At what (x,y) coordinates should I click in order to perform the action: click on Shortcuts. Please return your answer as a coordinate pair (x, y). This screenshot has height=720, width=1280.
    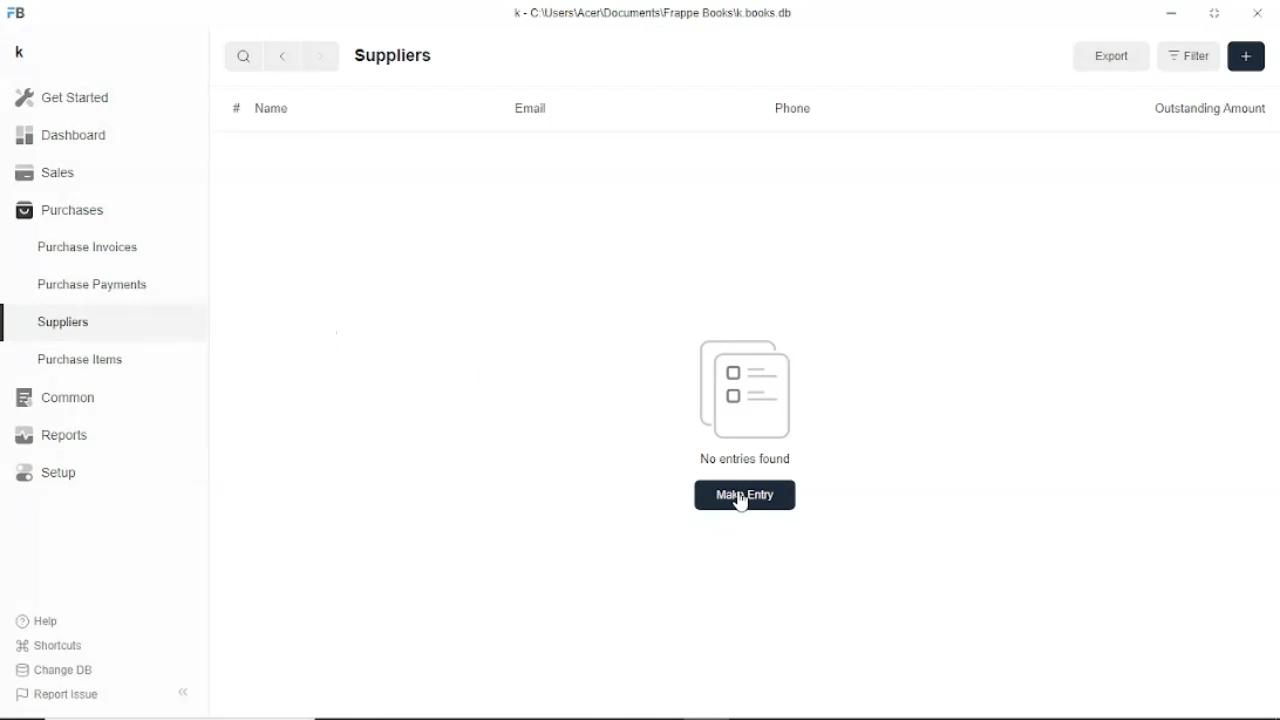
    Looking at the image, I should click on (48, 646).